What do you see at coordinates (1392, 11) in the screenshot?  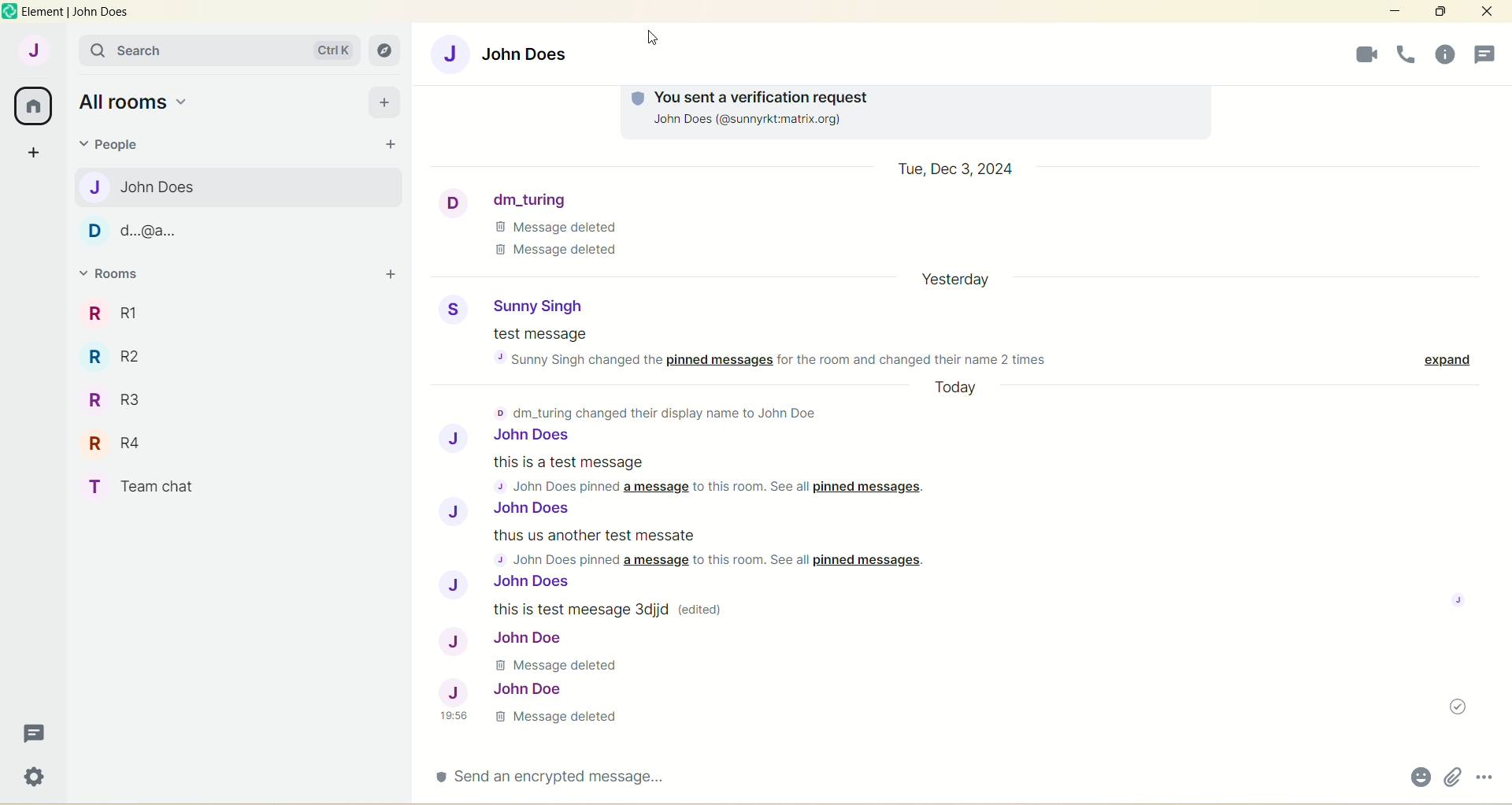 I see `minimize` at bounding box center [1392, 11].